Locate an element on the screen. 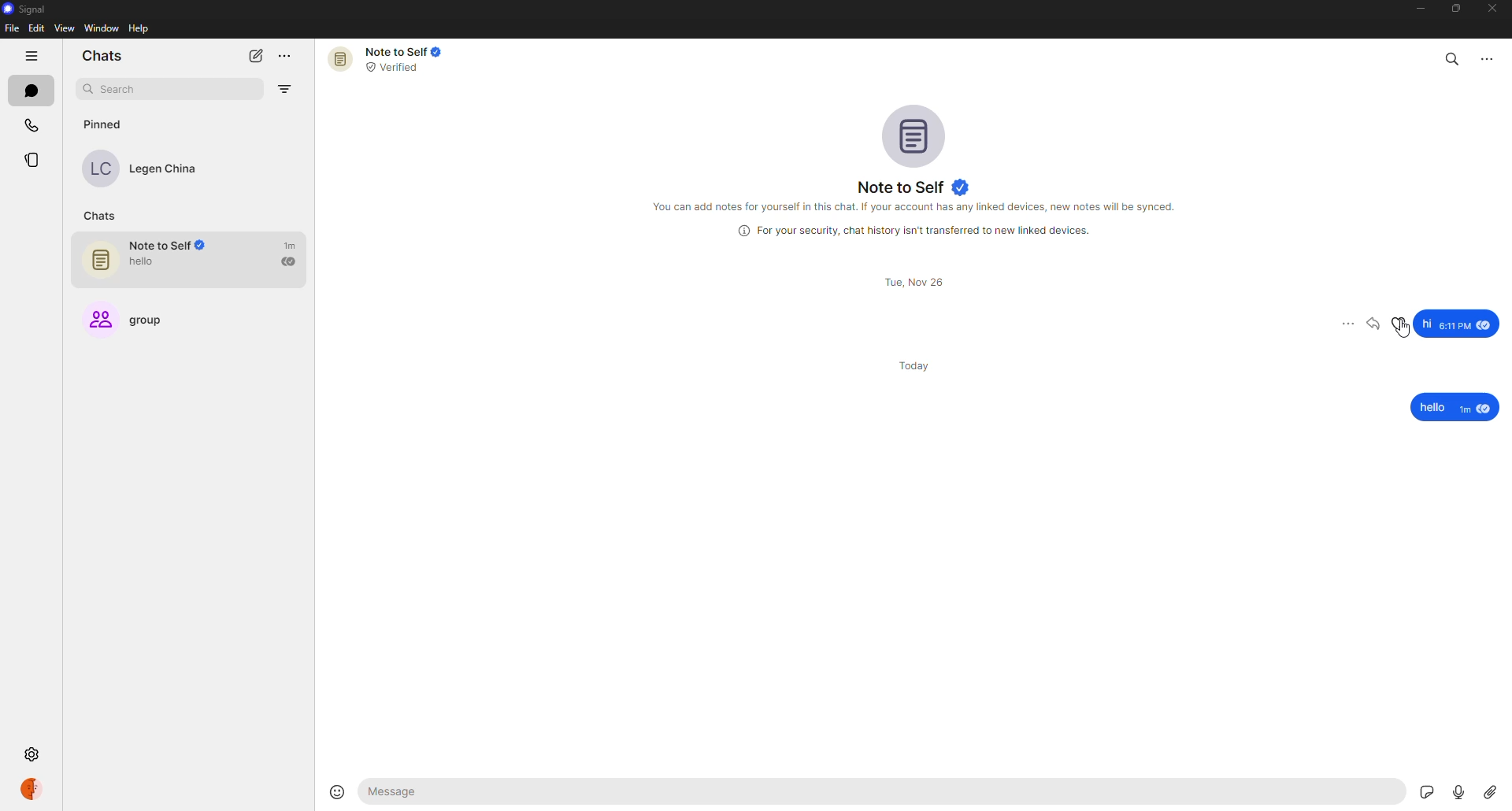  contact is located at coordinates (151, 169).